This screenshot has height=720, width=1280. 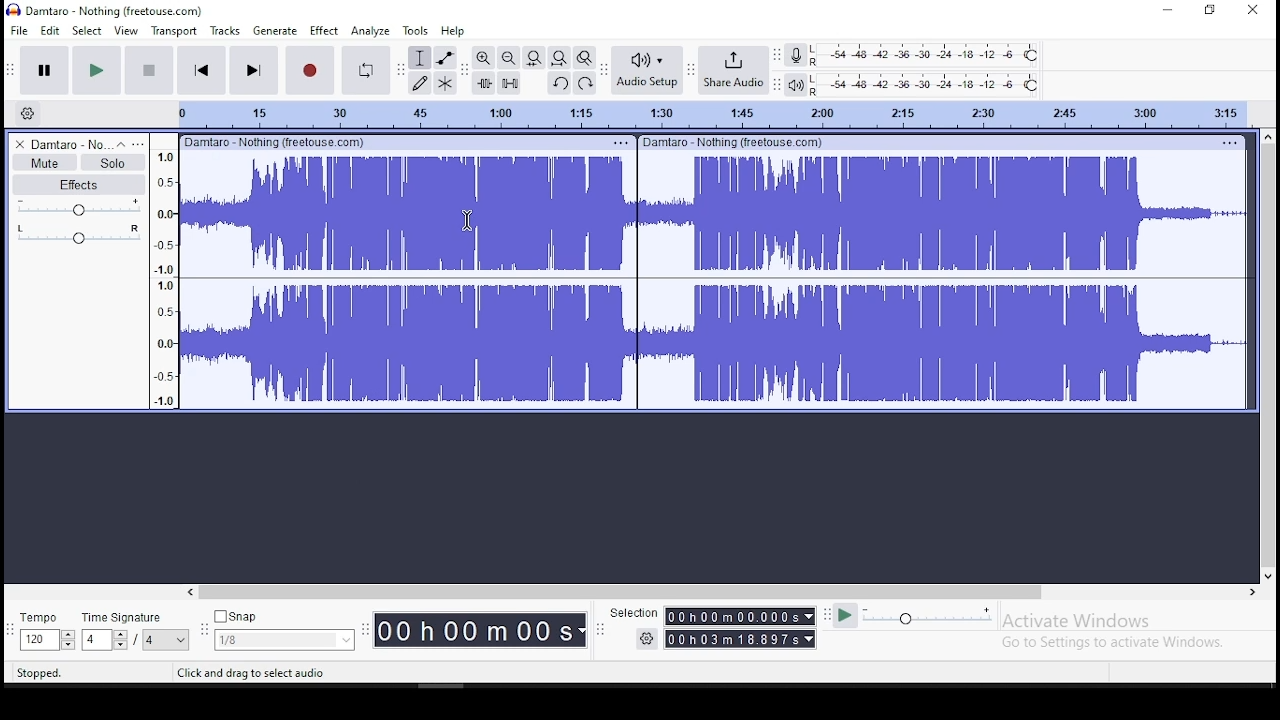 What do you see at coordinates (121, 144) in the screenshot?
I see `collapse` at bounding box center [121, 144].